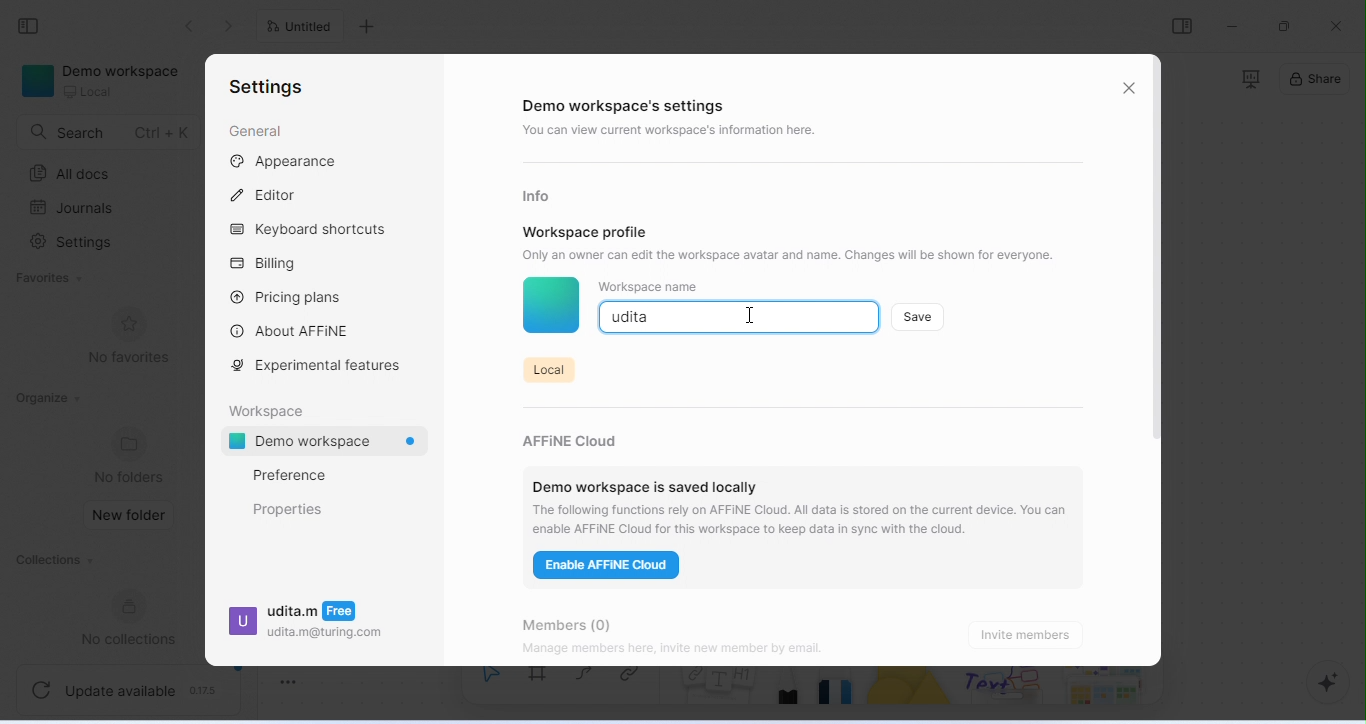 This screenshot has height=724, width=1366. What do you see at coordinates (1336, 26) in the screenshot?
I see `close` at bounding box center [1336, 26].